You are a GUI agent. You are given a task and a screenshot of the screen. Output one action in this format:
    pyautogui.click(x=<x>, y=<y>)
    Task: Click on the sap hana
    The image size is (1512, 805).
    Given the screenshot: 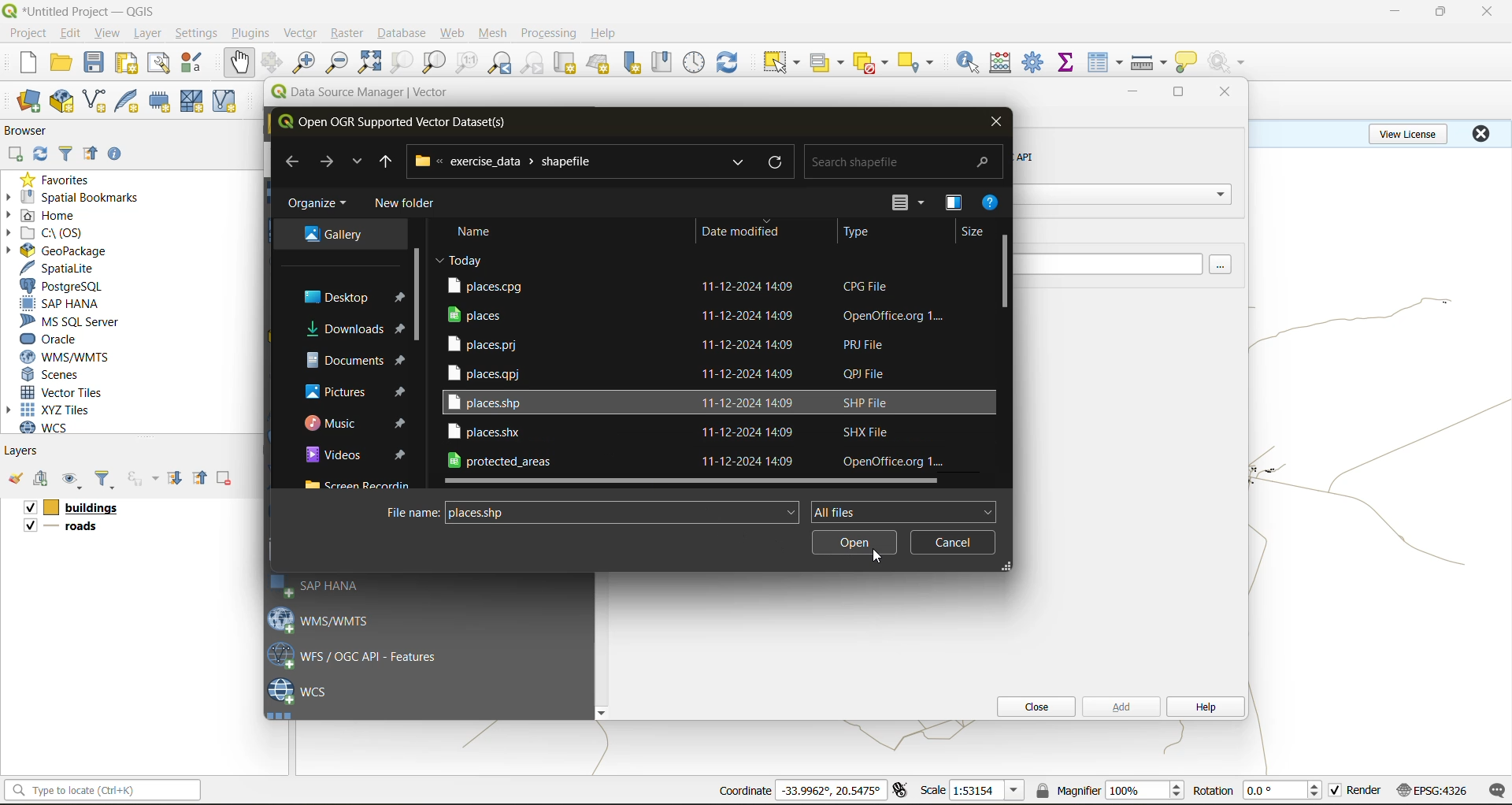 What is the action you would take?
    pyautogui.click(x=61, y=304)
    